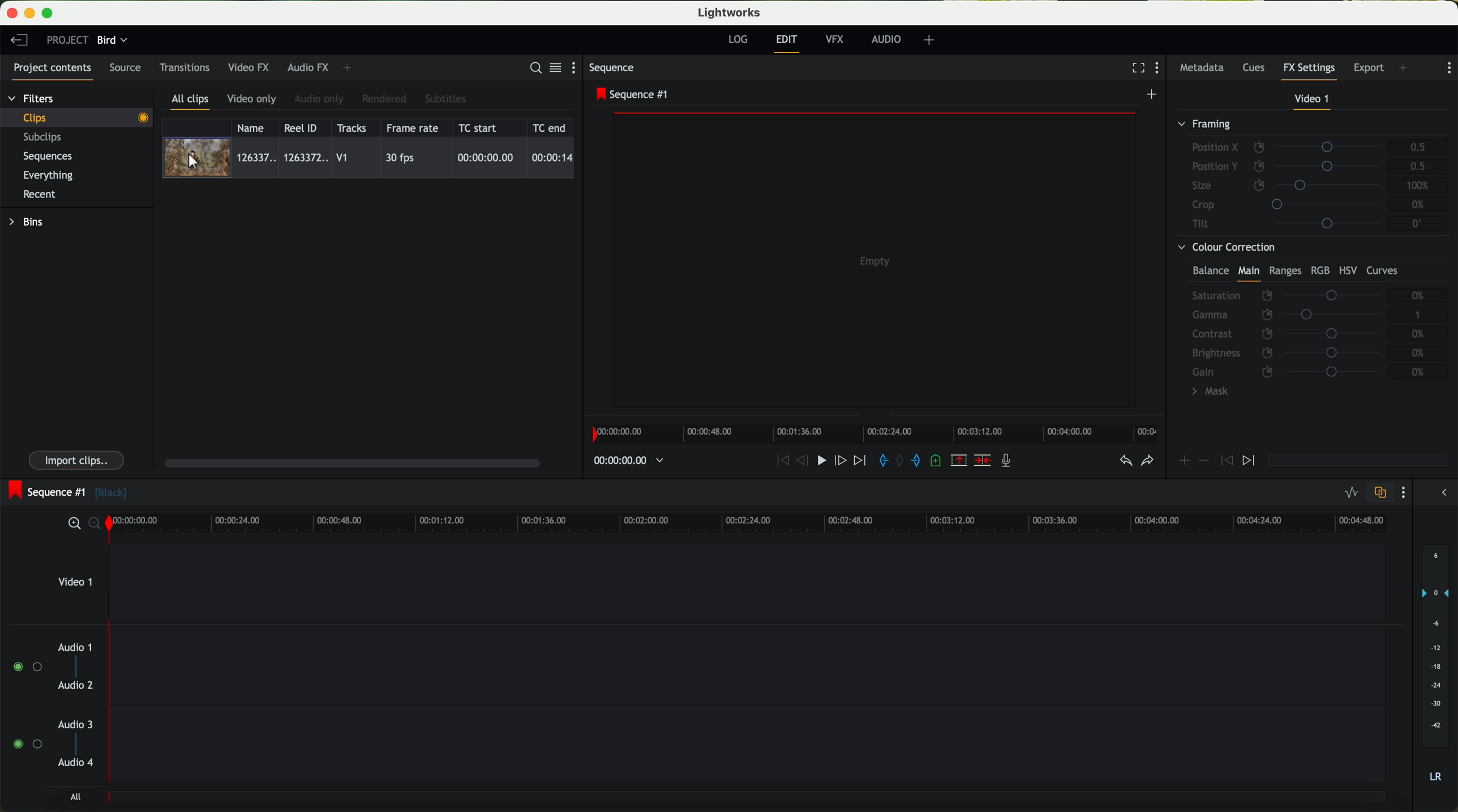 The image size is (1458, 812). I want to click on toggle auto track sync, so click(1378, 493).